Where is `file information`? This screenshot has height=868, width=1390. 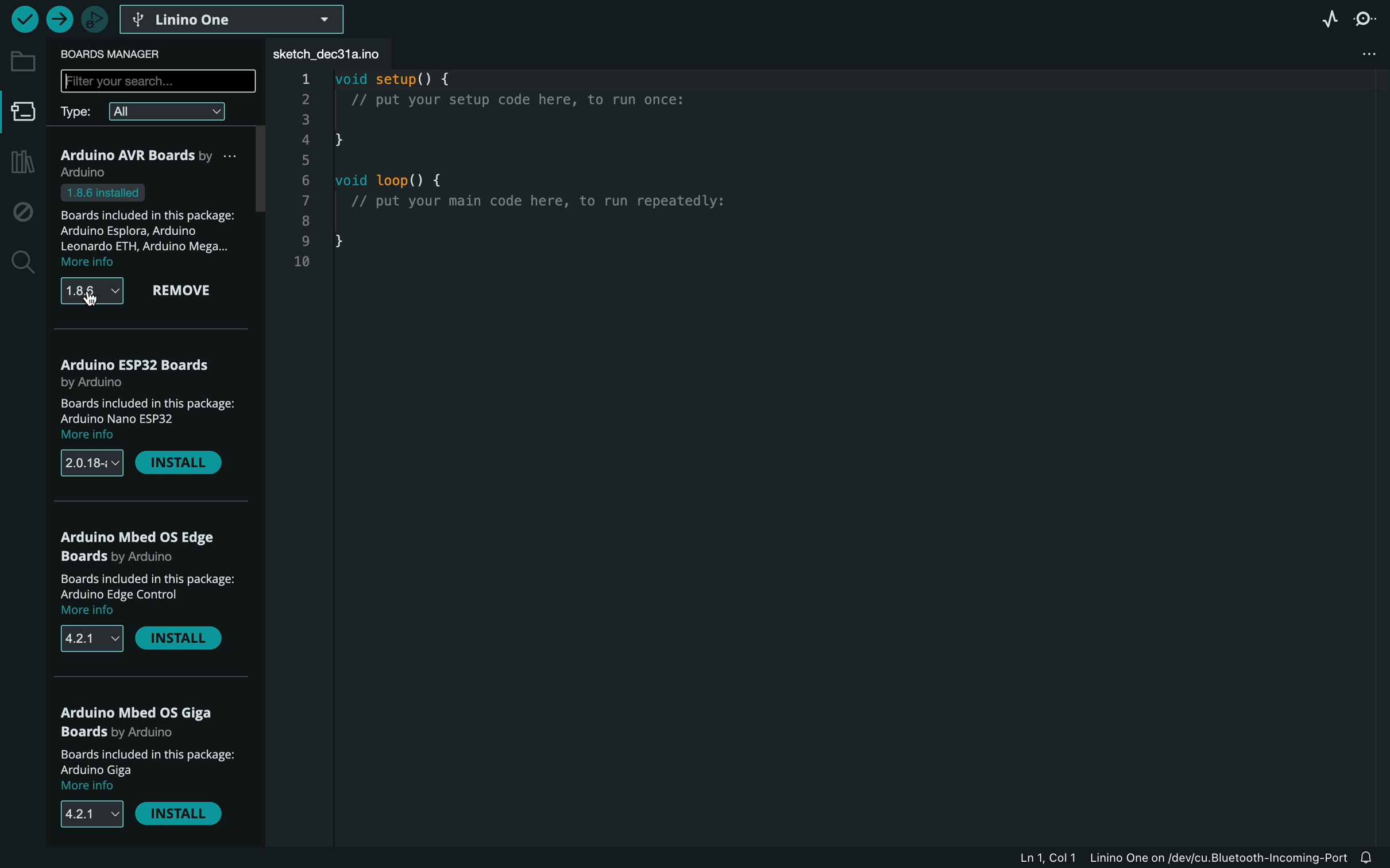
file information is located at coordinates (1182, 857).